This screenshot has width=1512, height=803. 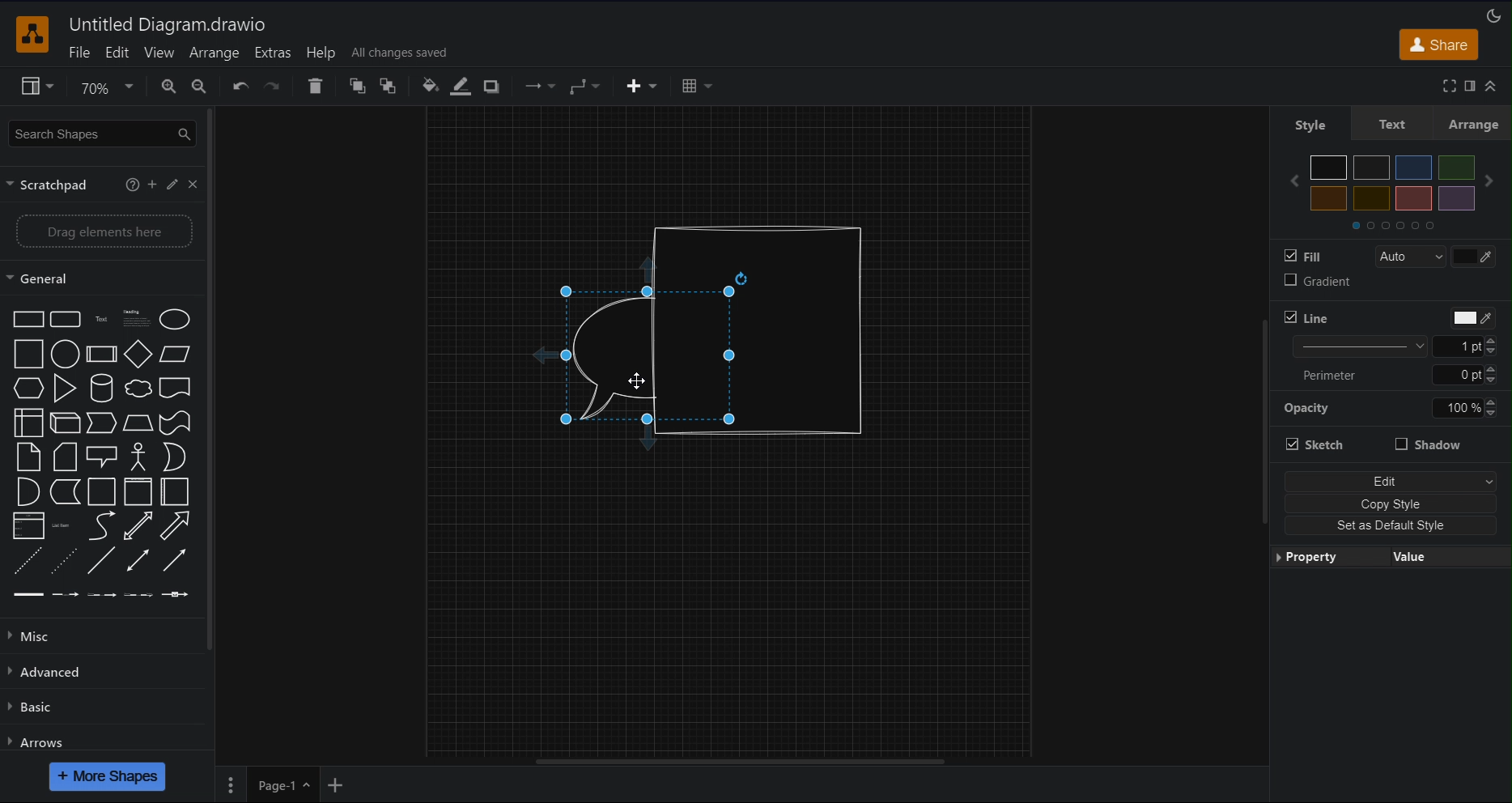 What do you see at coordinates (138, 492) in the screenshot?
I see `Container` at bounding box center [138, 492].